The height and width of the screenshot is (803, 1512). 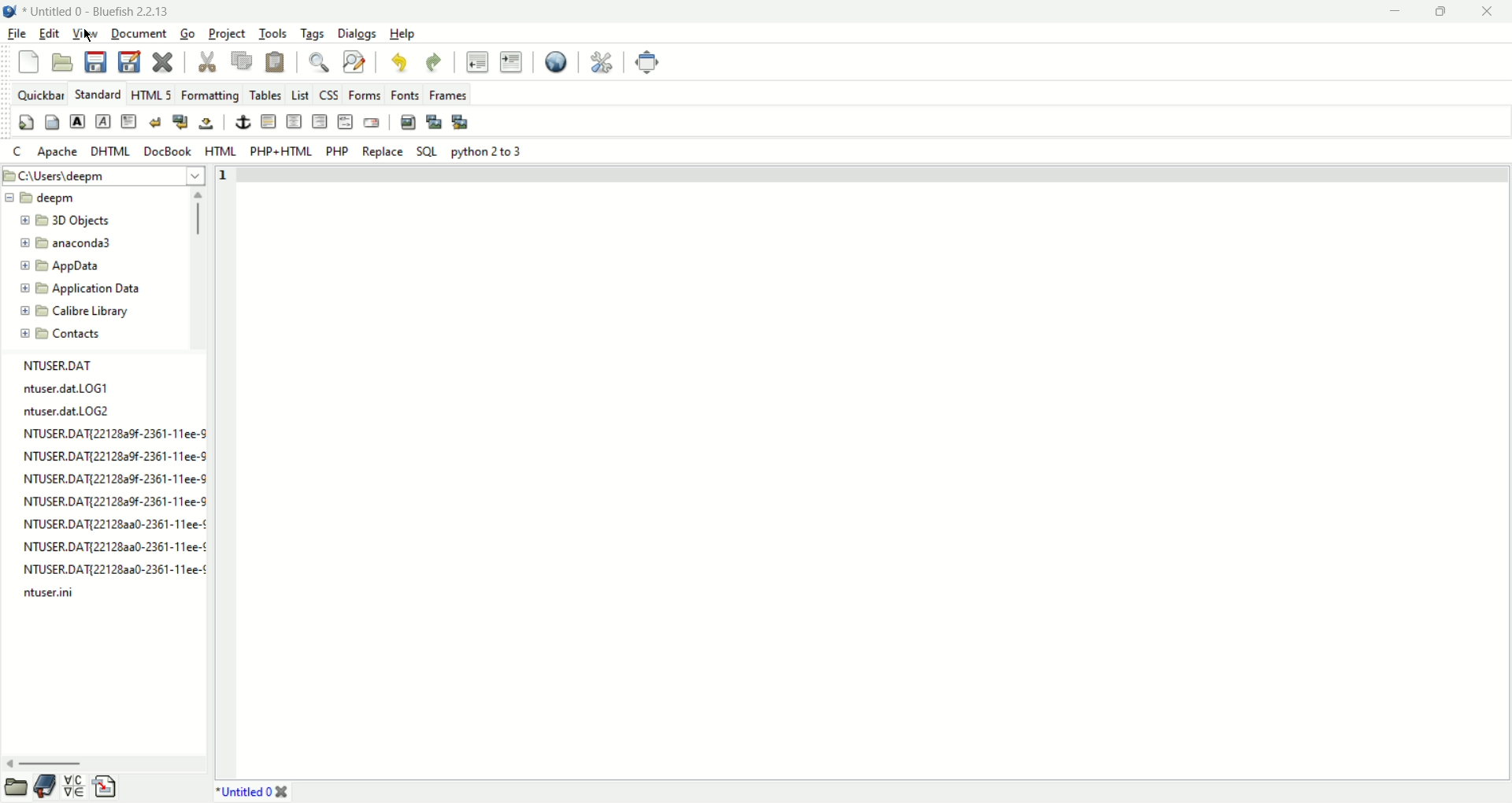 What do you see at coordinates (361, 93) in the screenshot?
I see `forms` at bounding box center [361, 93].